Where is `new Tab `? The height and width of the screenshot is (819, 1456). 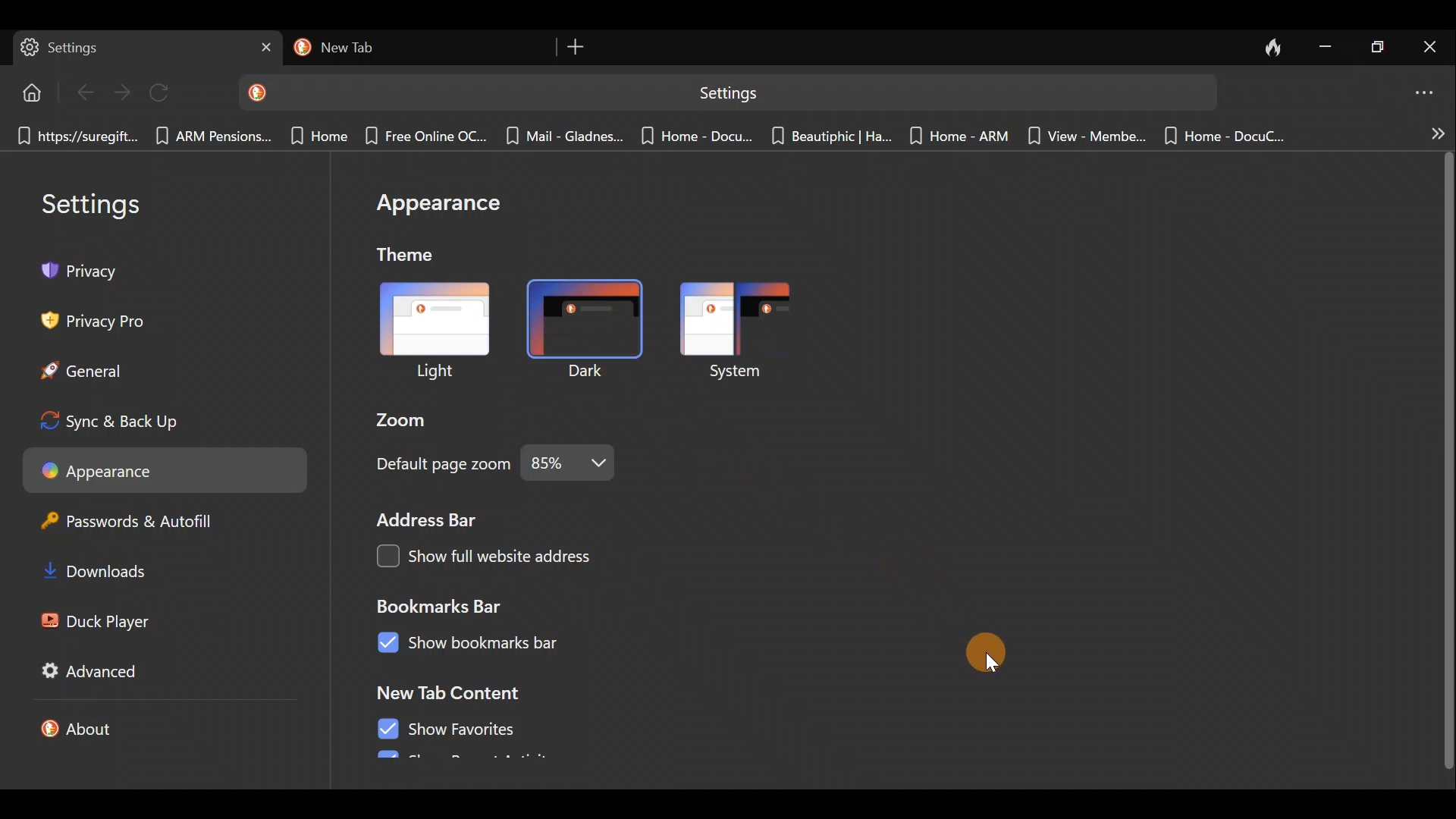
new Tab  is located at coordinates (419, 48).